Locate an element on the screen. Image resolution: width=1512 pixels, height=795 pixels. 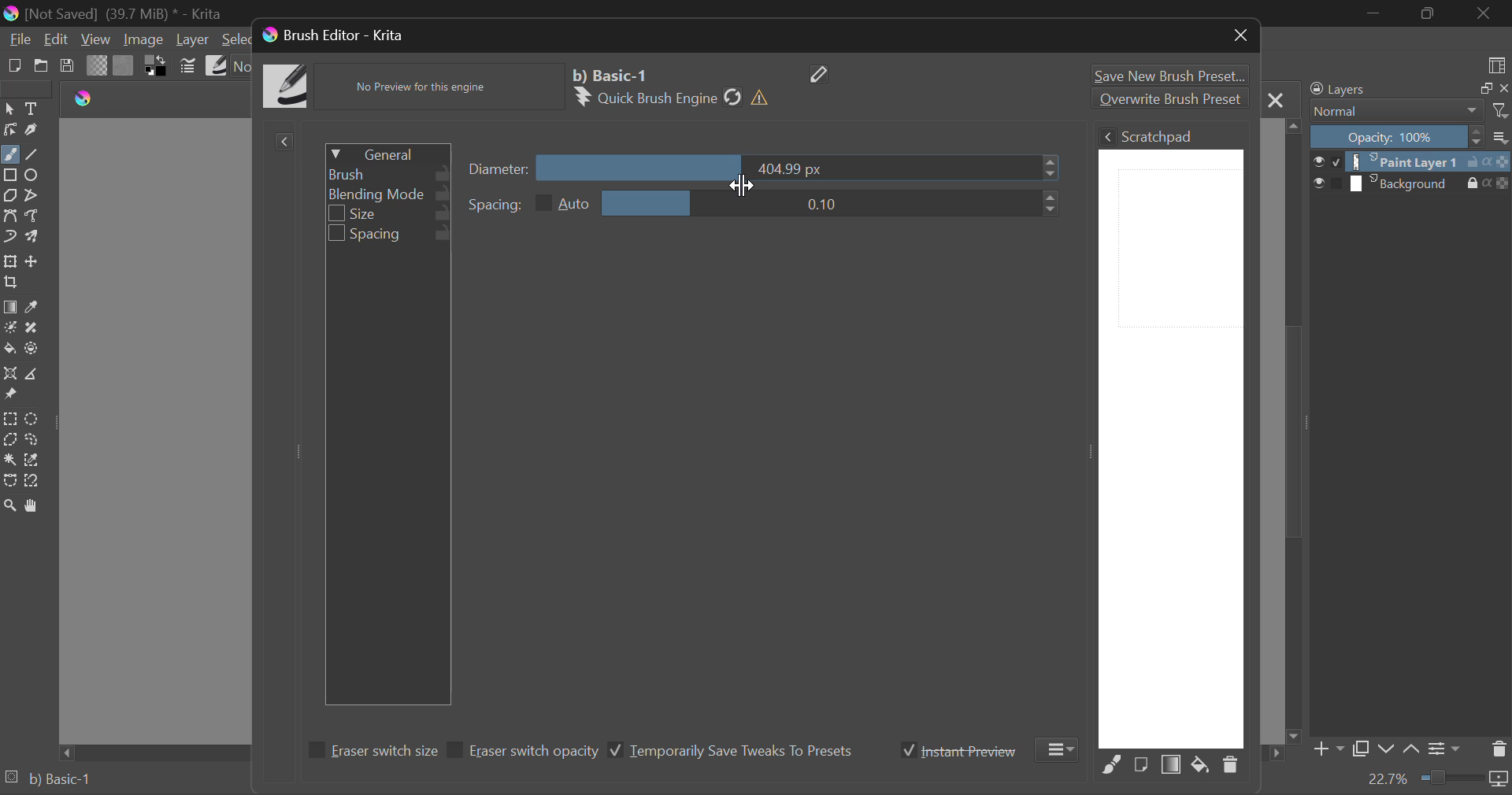
Similar Color Selector is located at coordinates (34, 462).